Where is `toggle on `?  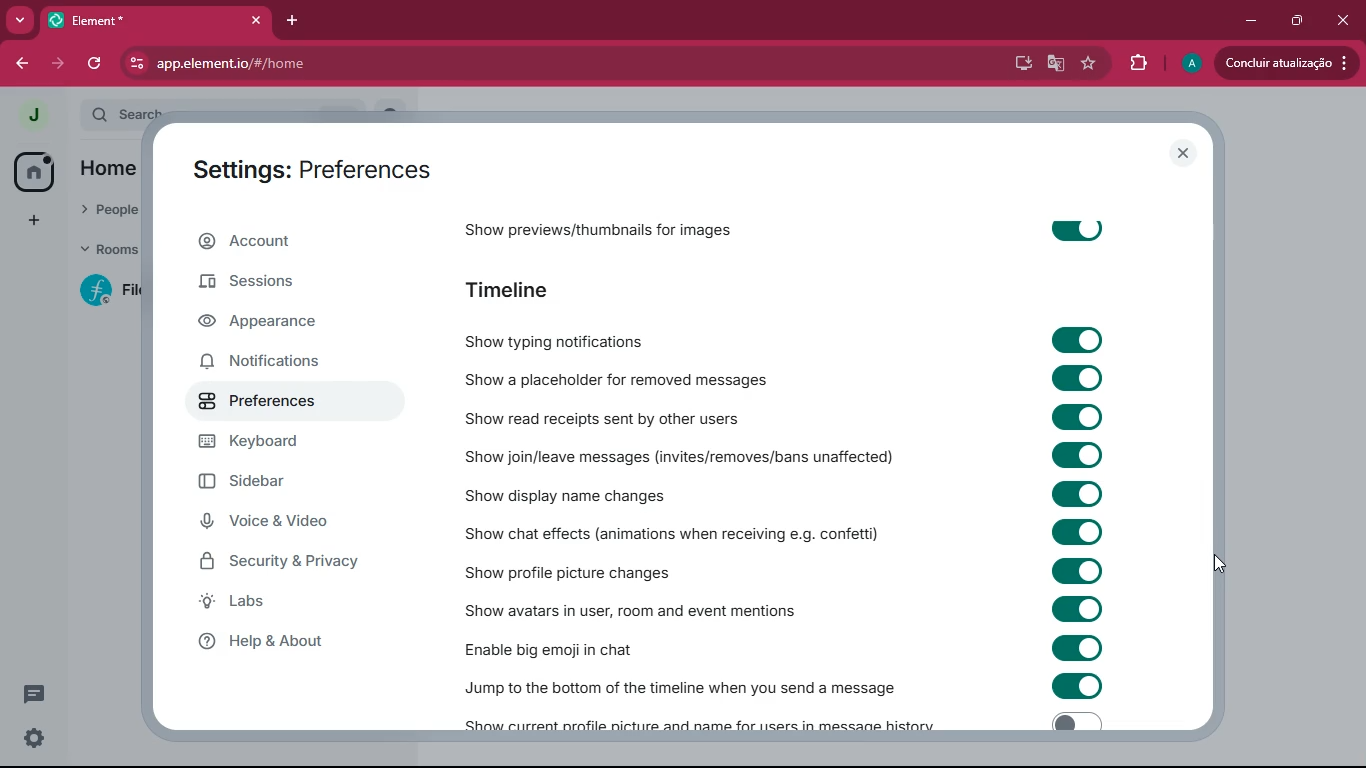 toggle on  is located at coordinates (1083, 688).